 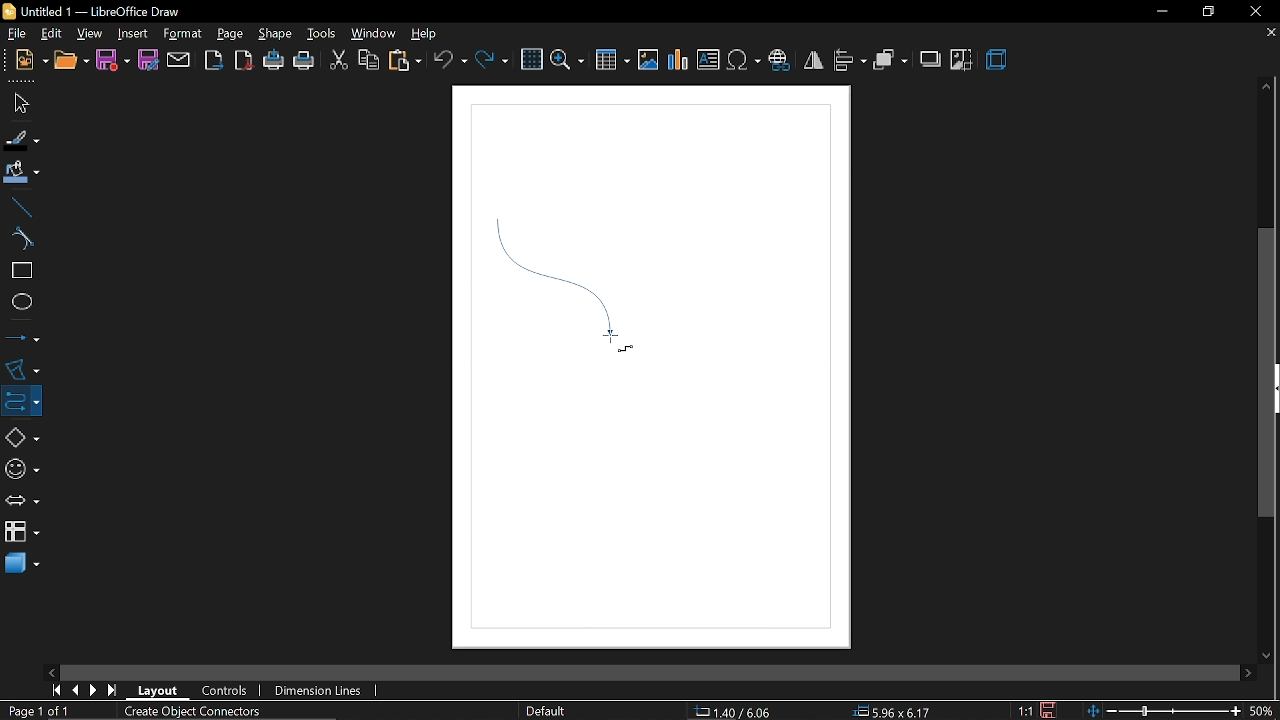 I want to click on attach, so click(x=178, y=60).